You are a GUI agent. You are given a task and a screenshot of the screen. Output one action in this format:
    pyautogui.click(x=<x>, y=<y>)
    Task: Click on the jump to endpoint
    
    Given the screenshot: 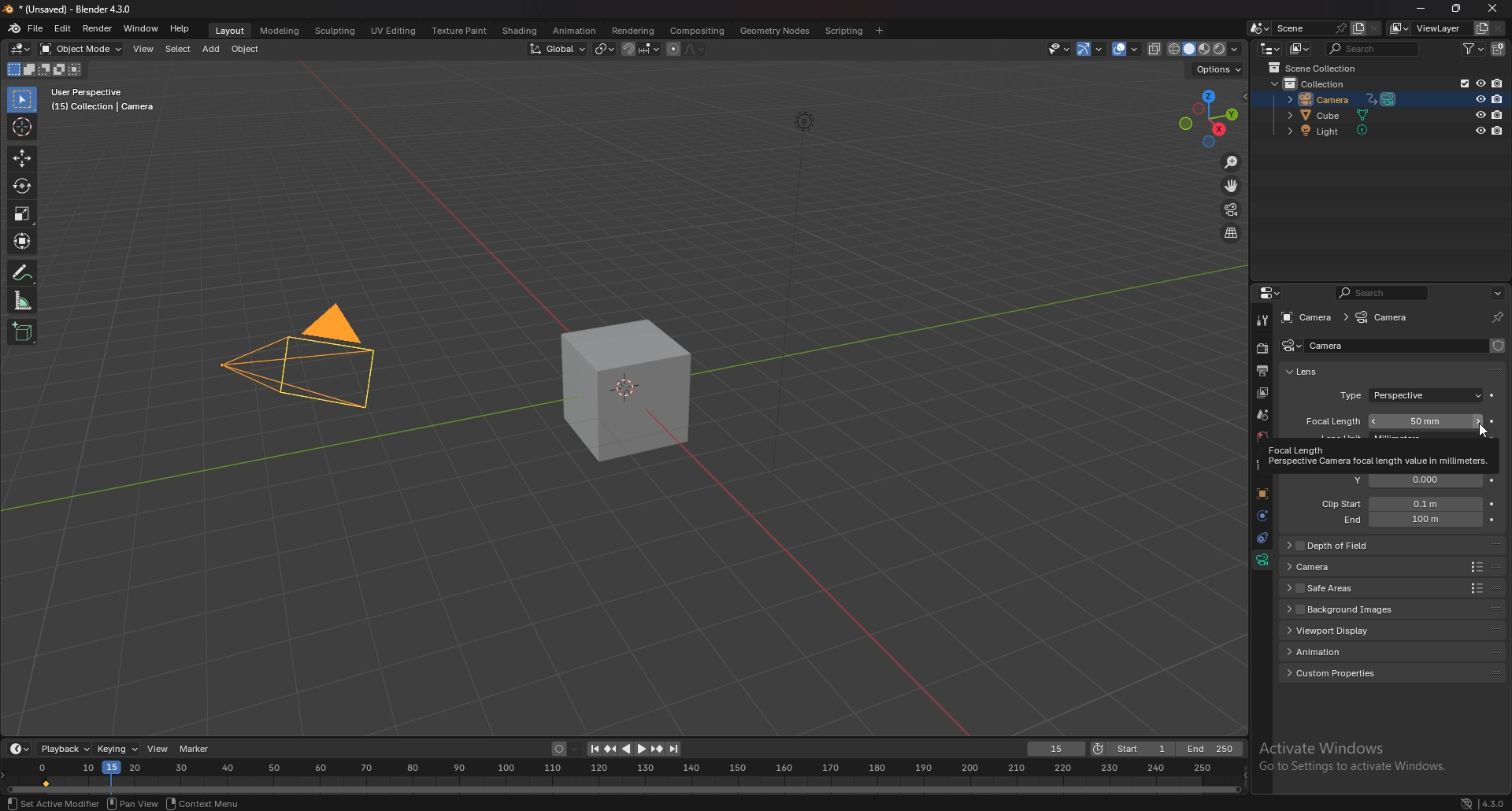 What is the action you would take?
    pyautogui.click(x=591, y=750)
    